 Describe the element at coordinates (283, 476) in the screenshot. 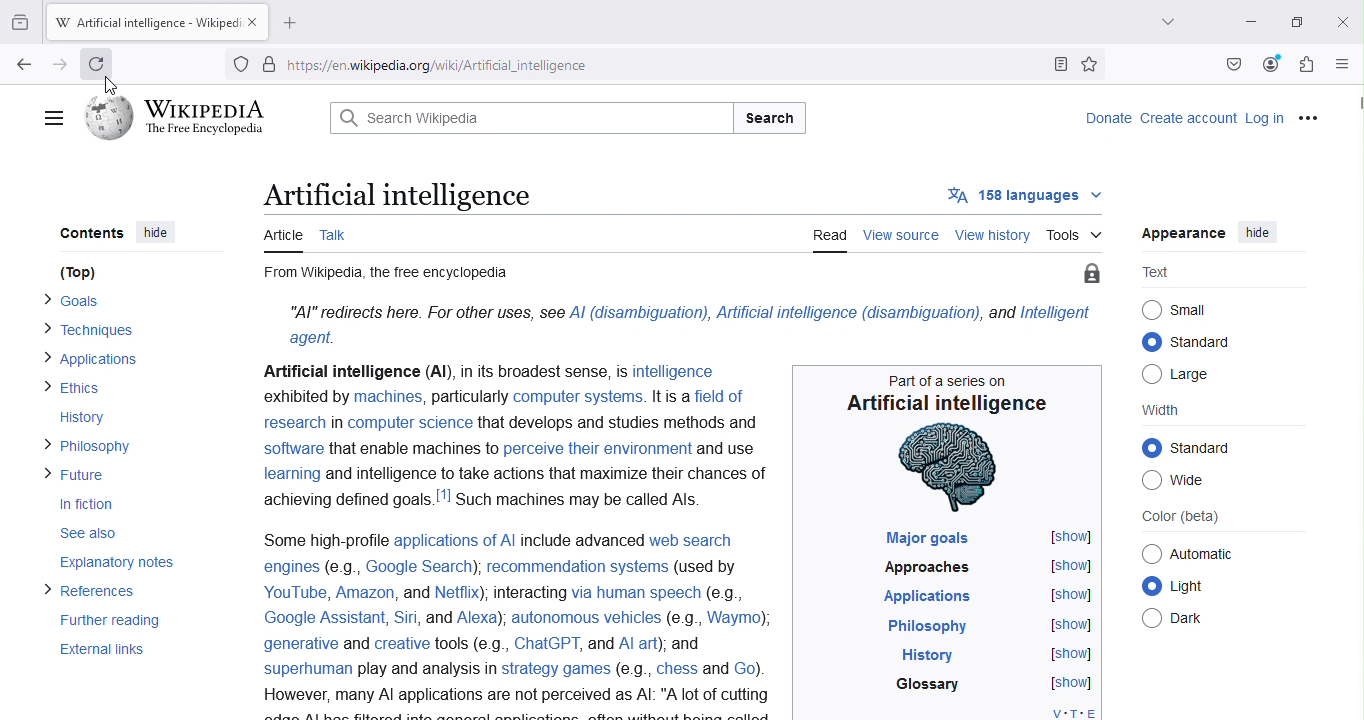

I see `learning` at that location.